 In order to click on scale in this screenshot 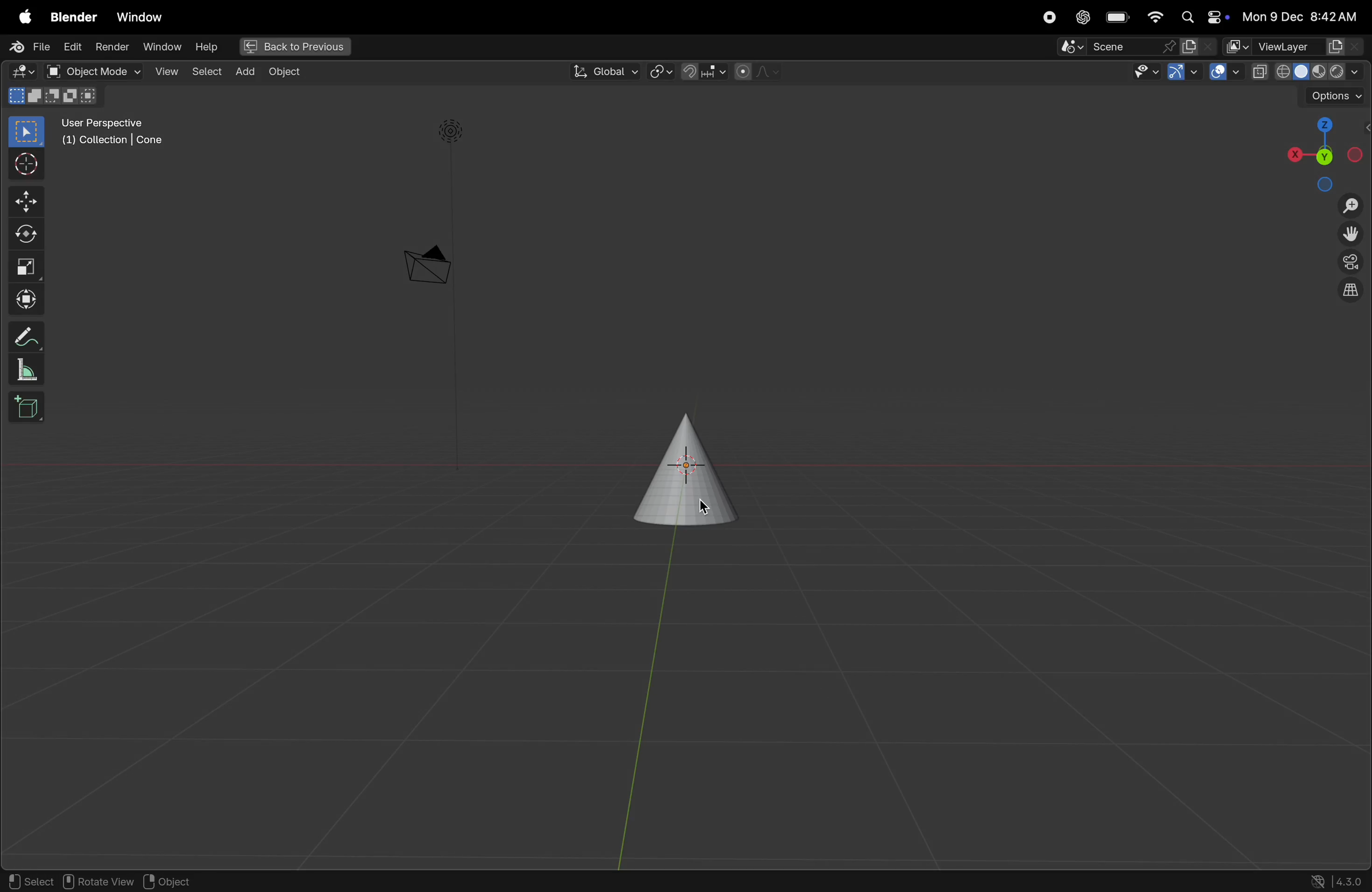, I will do `click(26, 266)`.